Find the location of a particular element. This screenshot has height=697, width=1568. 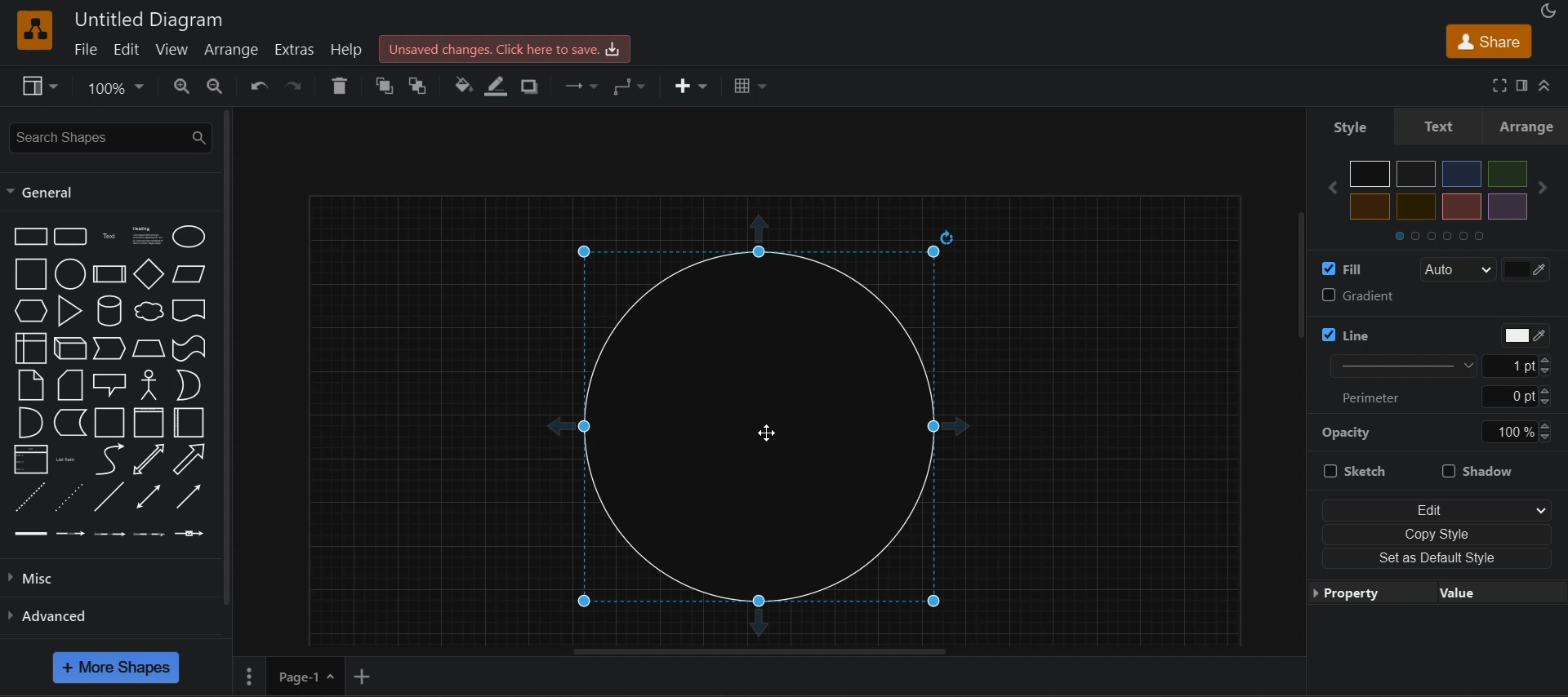

square is located at coordinates (30, 273).